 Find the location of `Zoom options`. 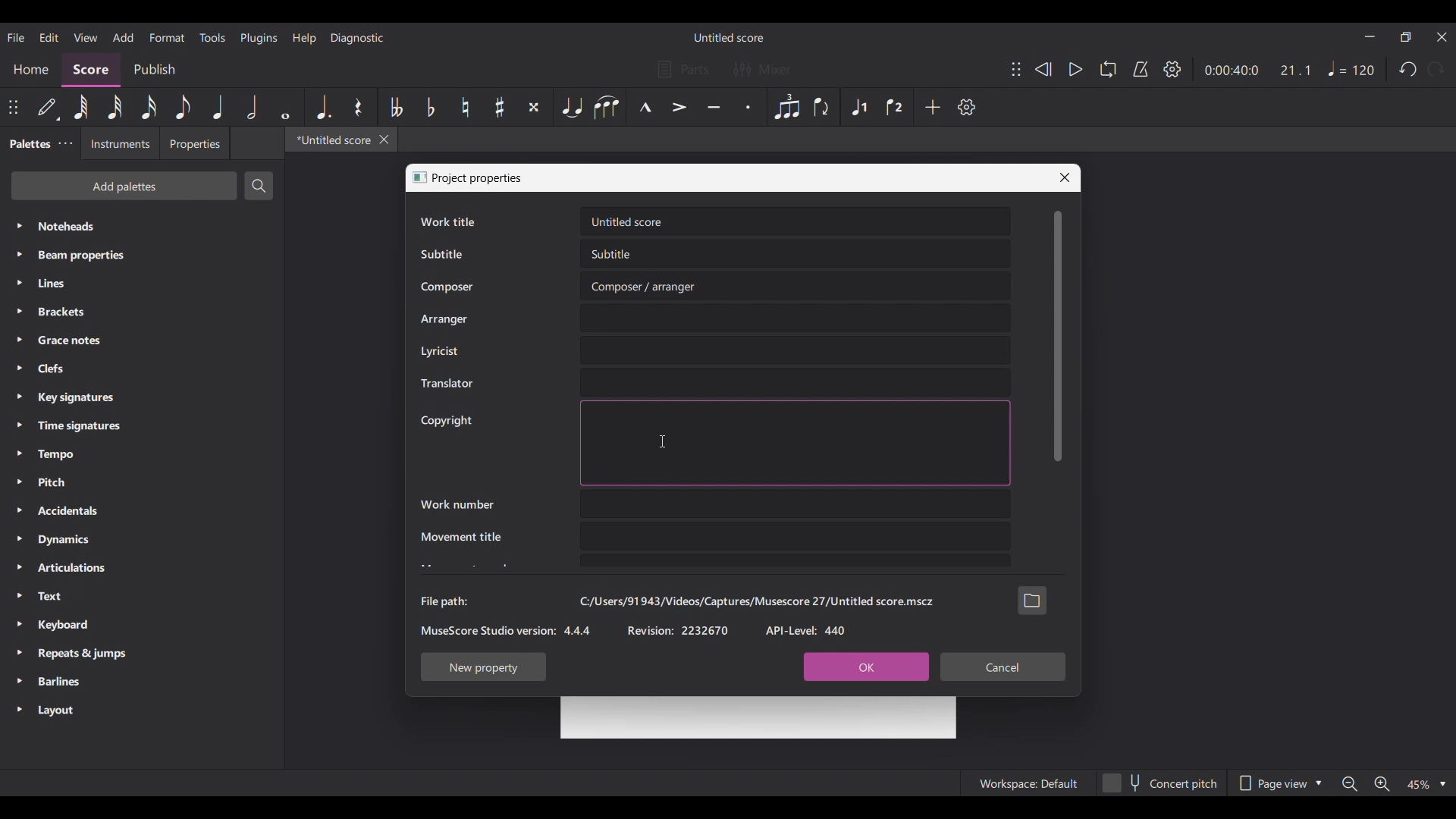

Zoom options is located at coordinates (1426, 784).